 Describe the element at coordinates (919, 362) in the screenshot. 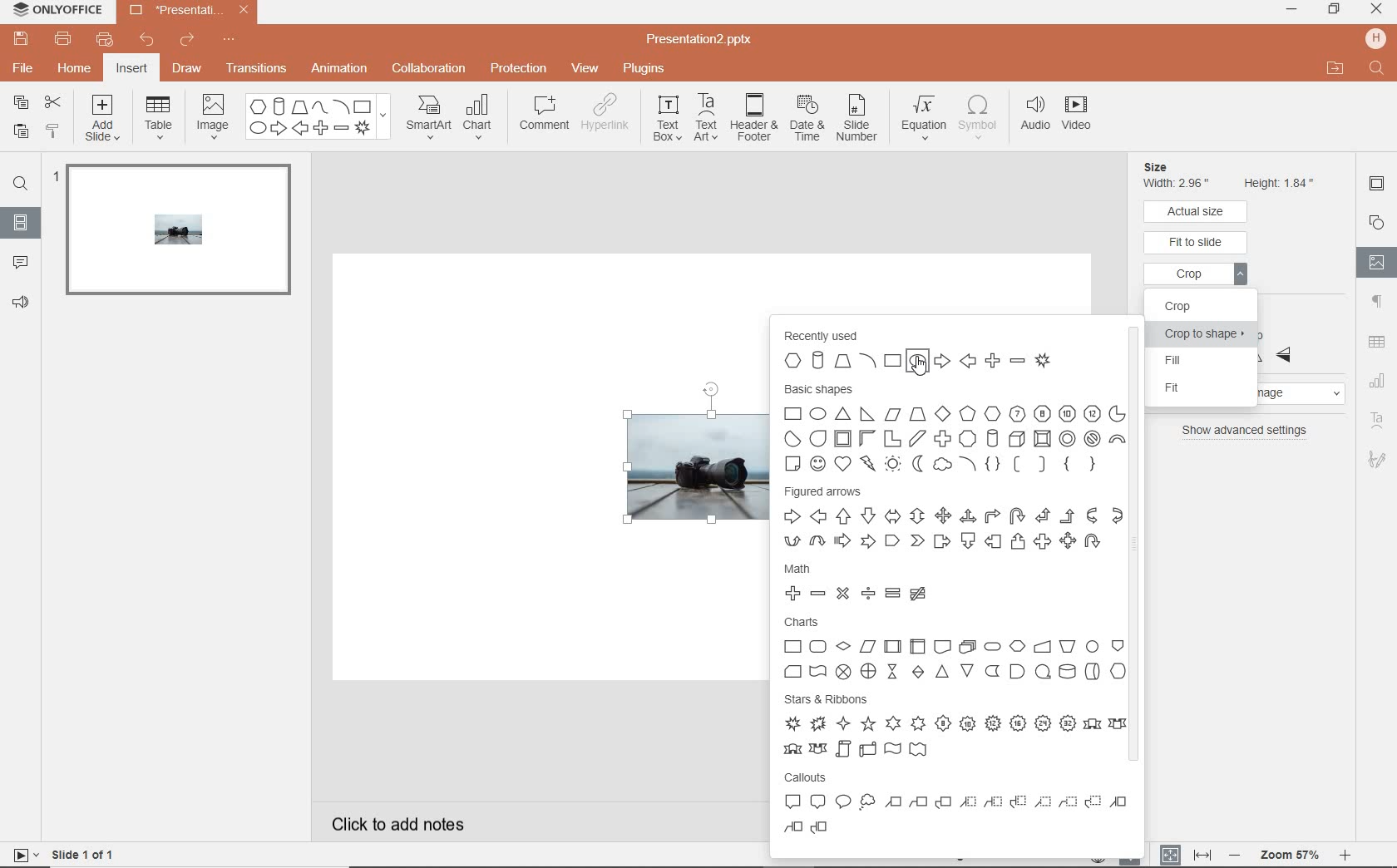

I see `cursor` at that location.